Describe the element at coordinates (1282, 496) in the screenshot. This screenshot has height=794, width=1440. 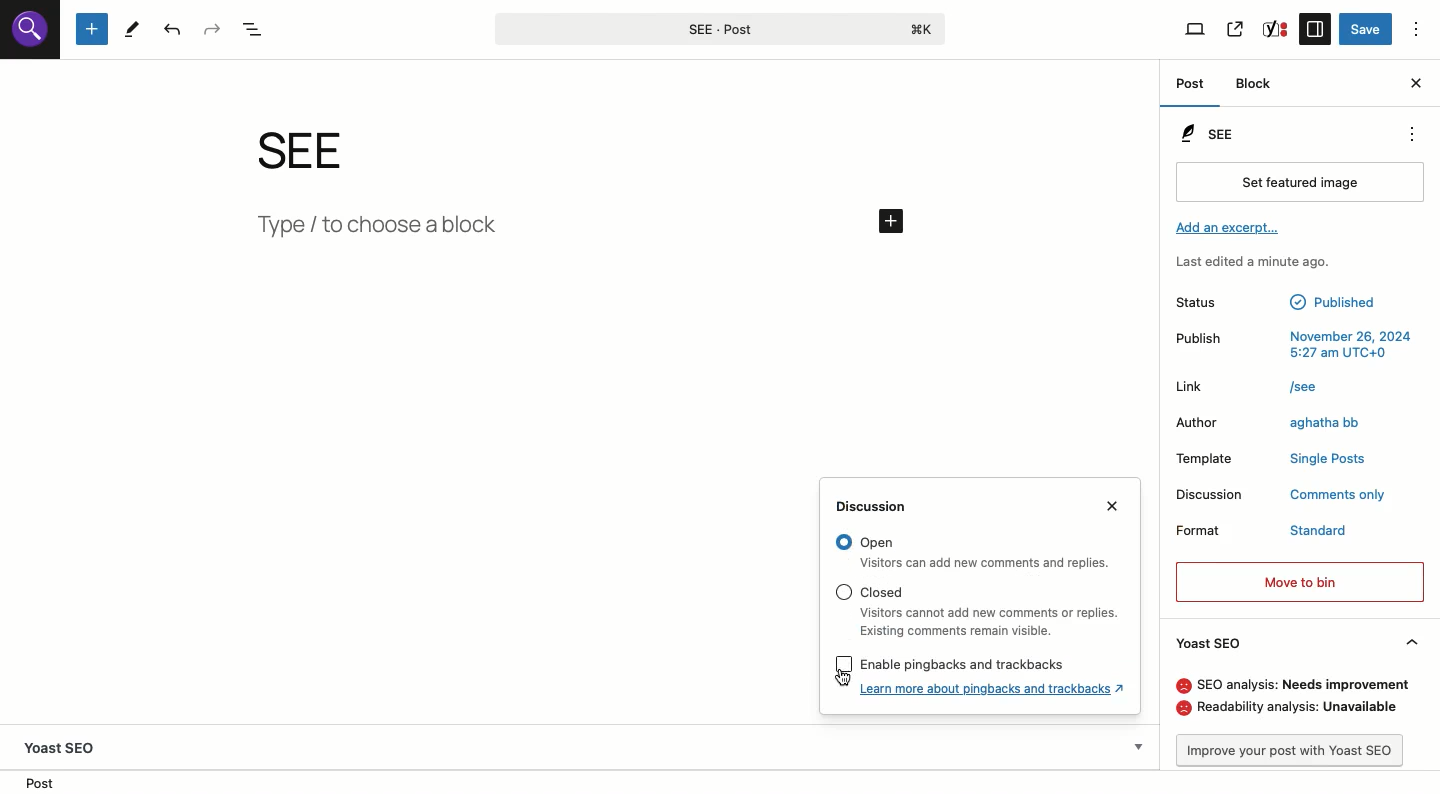
I see `Discussion closed` at that location.